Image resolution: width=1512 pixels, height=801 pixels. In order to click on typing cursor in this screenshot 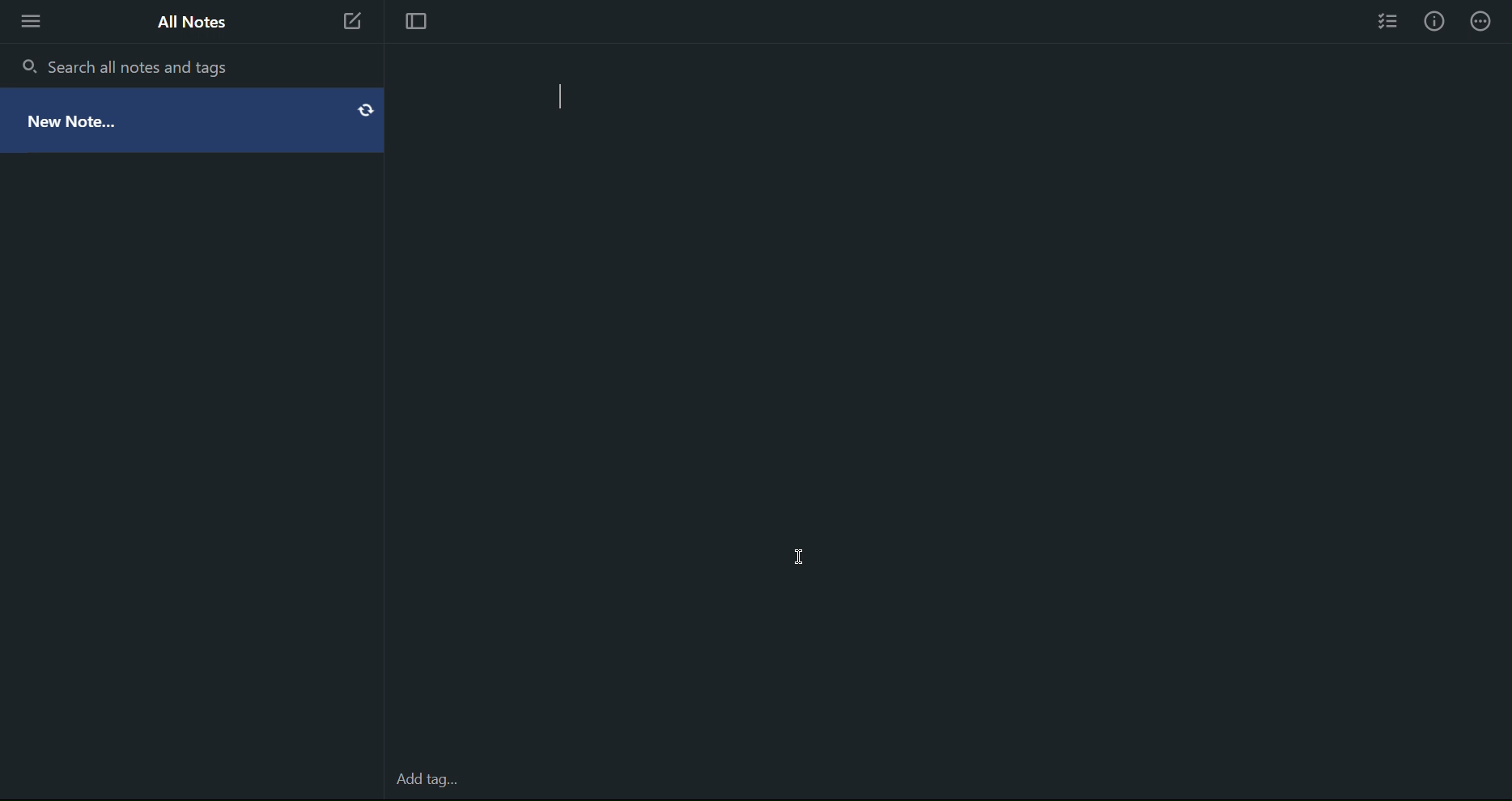, I will do `click(568, 98)`.